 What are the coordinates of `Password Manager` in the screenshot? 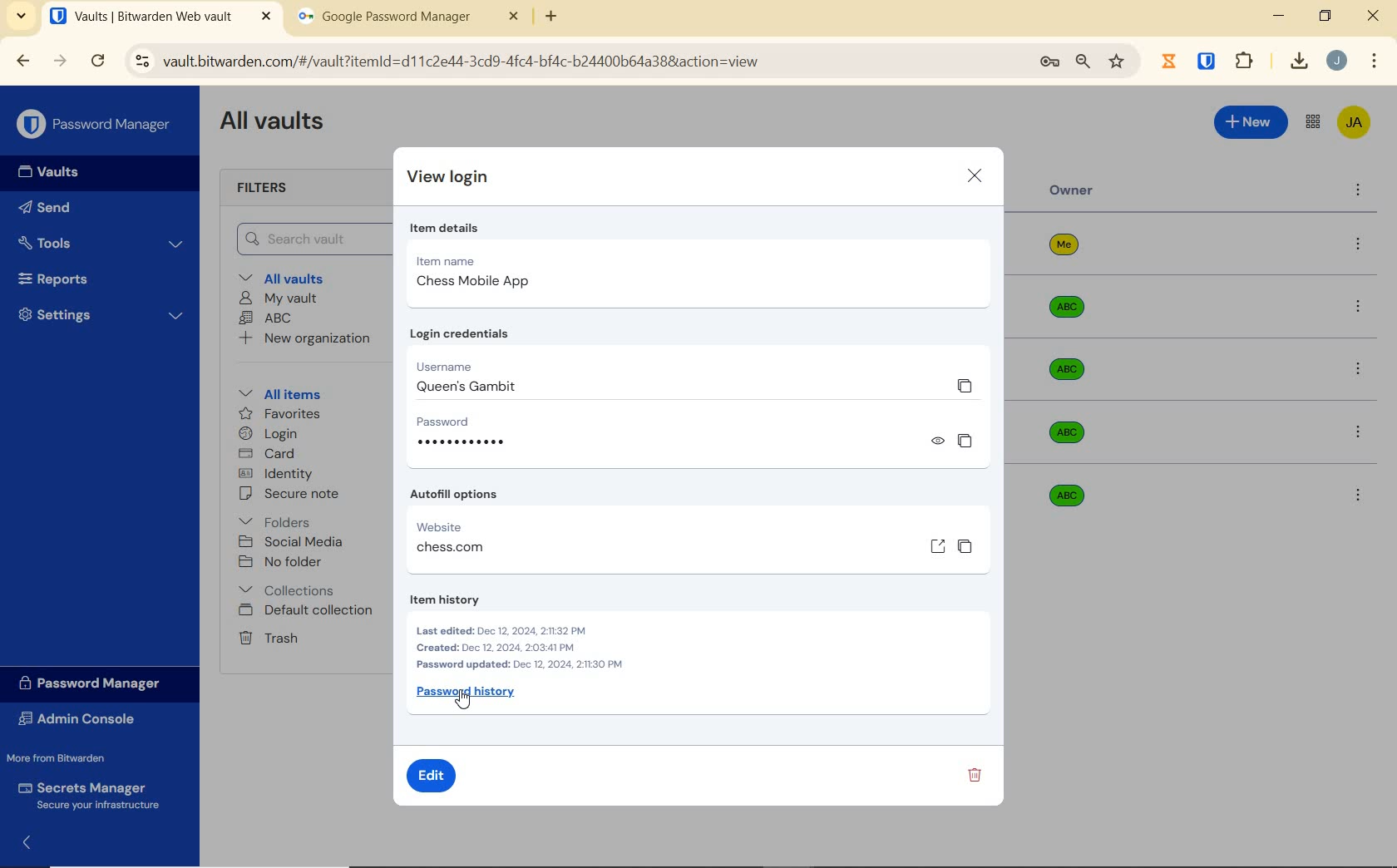 It's located at (97, 125).